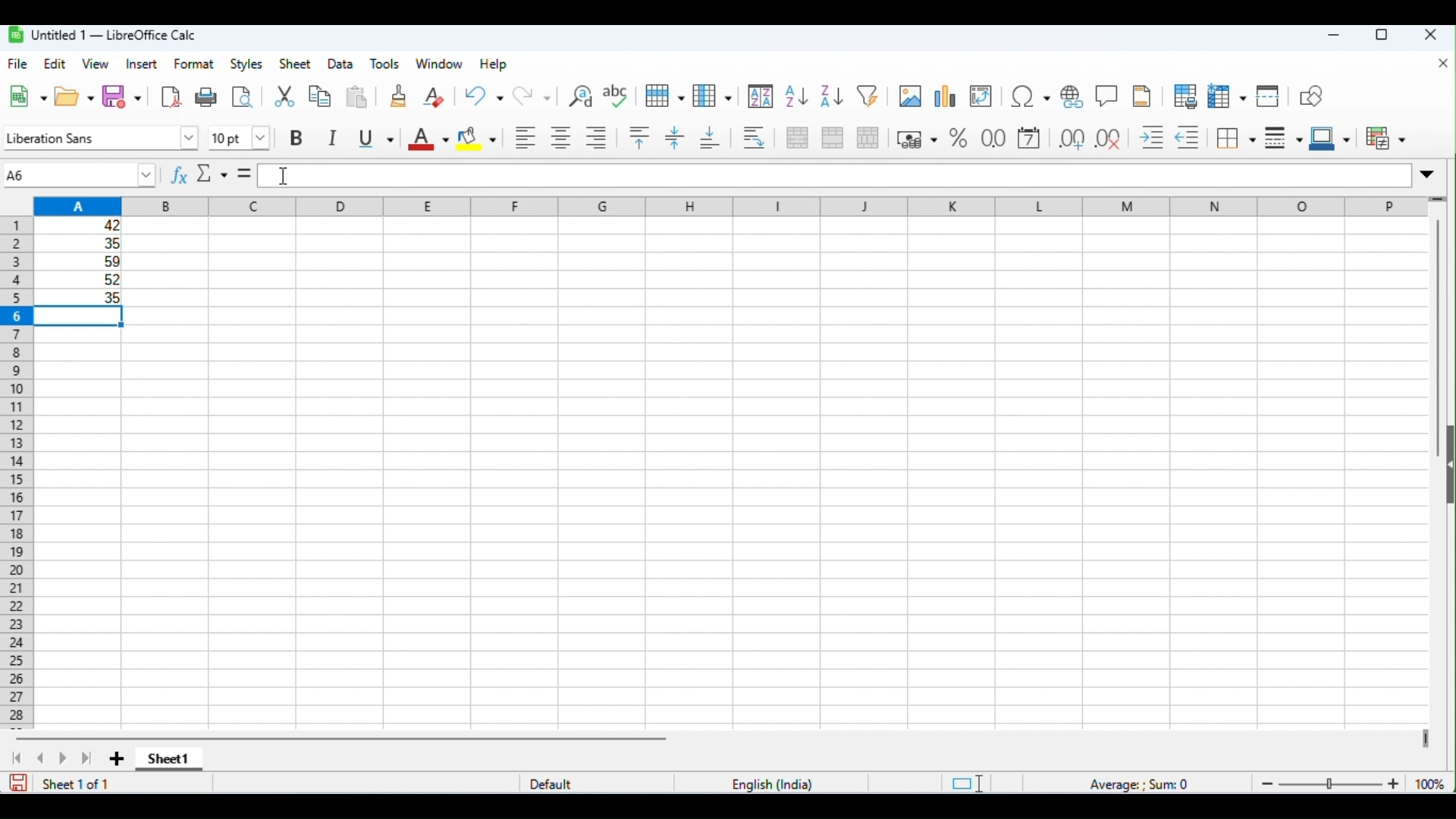 The width and height of the screenshot is (1456, 819). What do you see at coordinates (208, 174) in the screenshot?
I see `reject` at bounding box center [208, 174].